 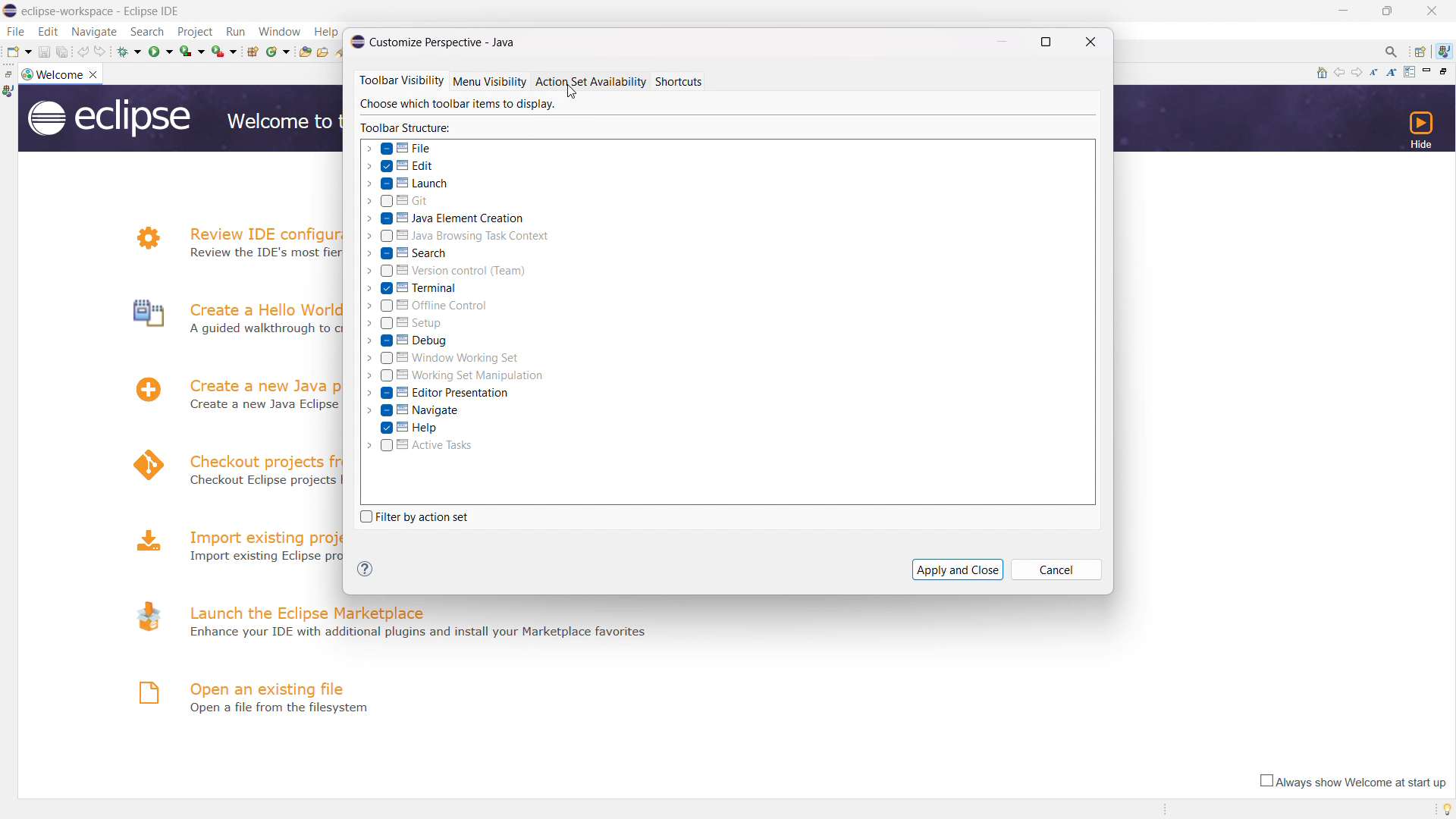 I want to click on Help, so click(x=325, y=31).